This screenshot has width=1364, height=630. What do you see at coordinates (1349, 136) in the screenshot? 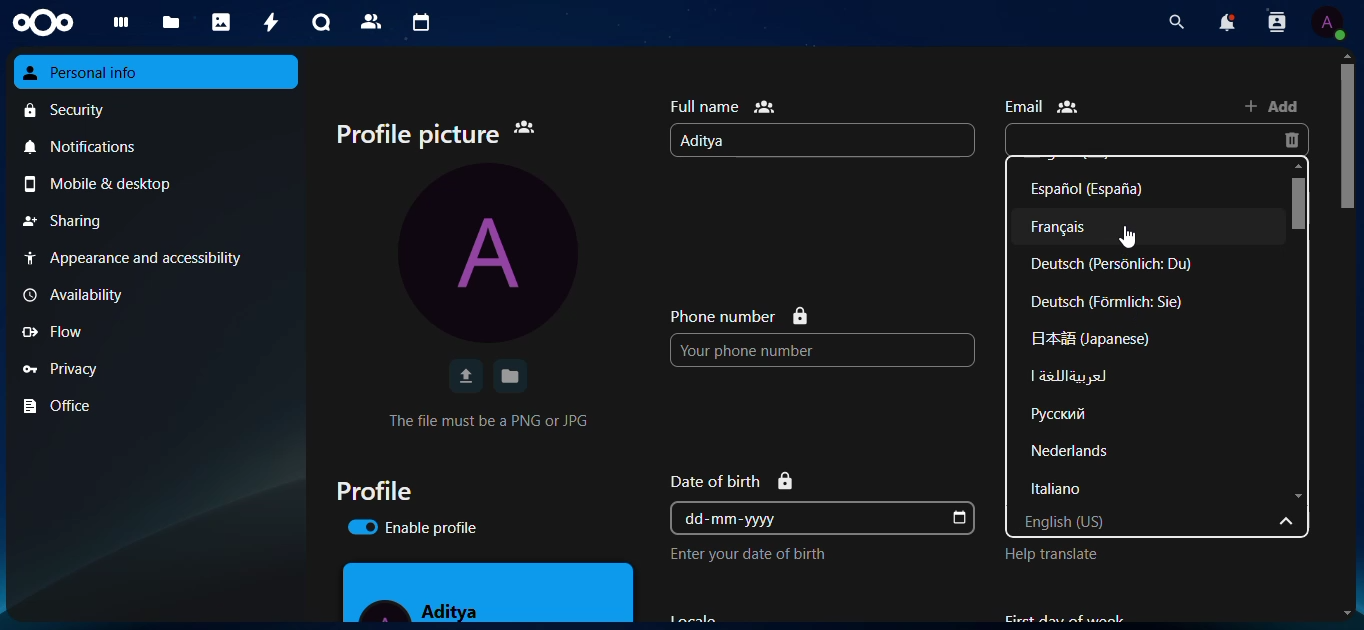
I see `scroll bar` at bounding box center [1349, 136].